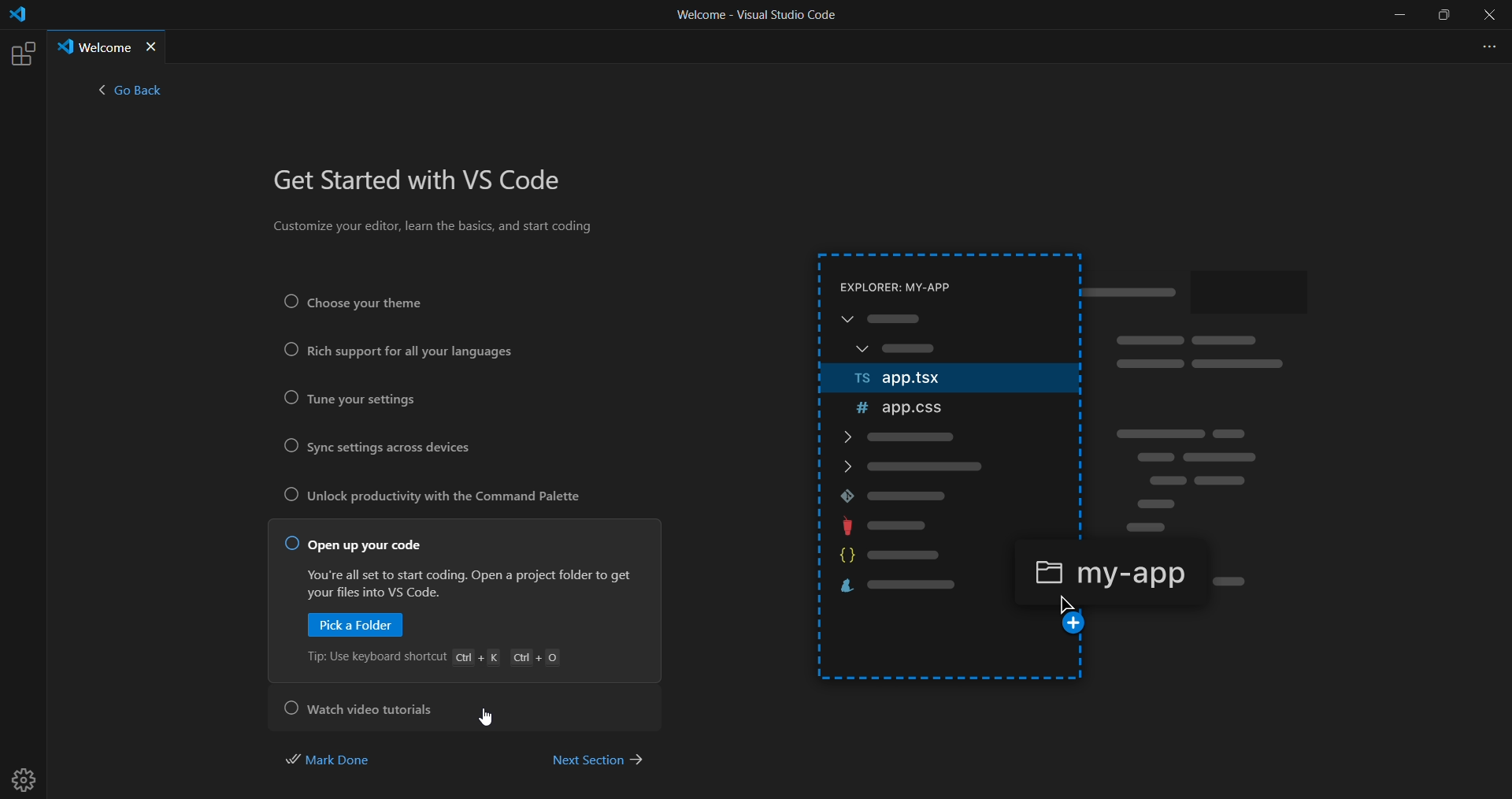 The height and width of the screenshot is (799, 1512). Describe the element at coordinates (945, 495) in the screenshot. I see `git source` at that location.